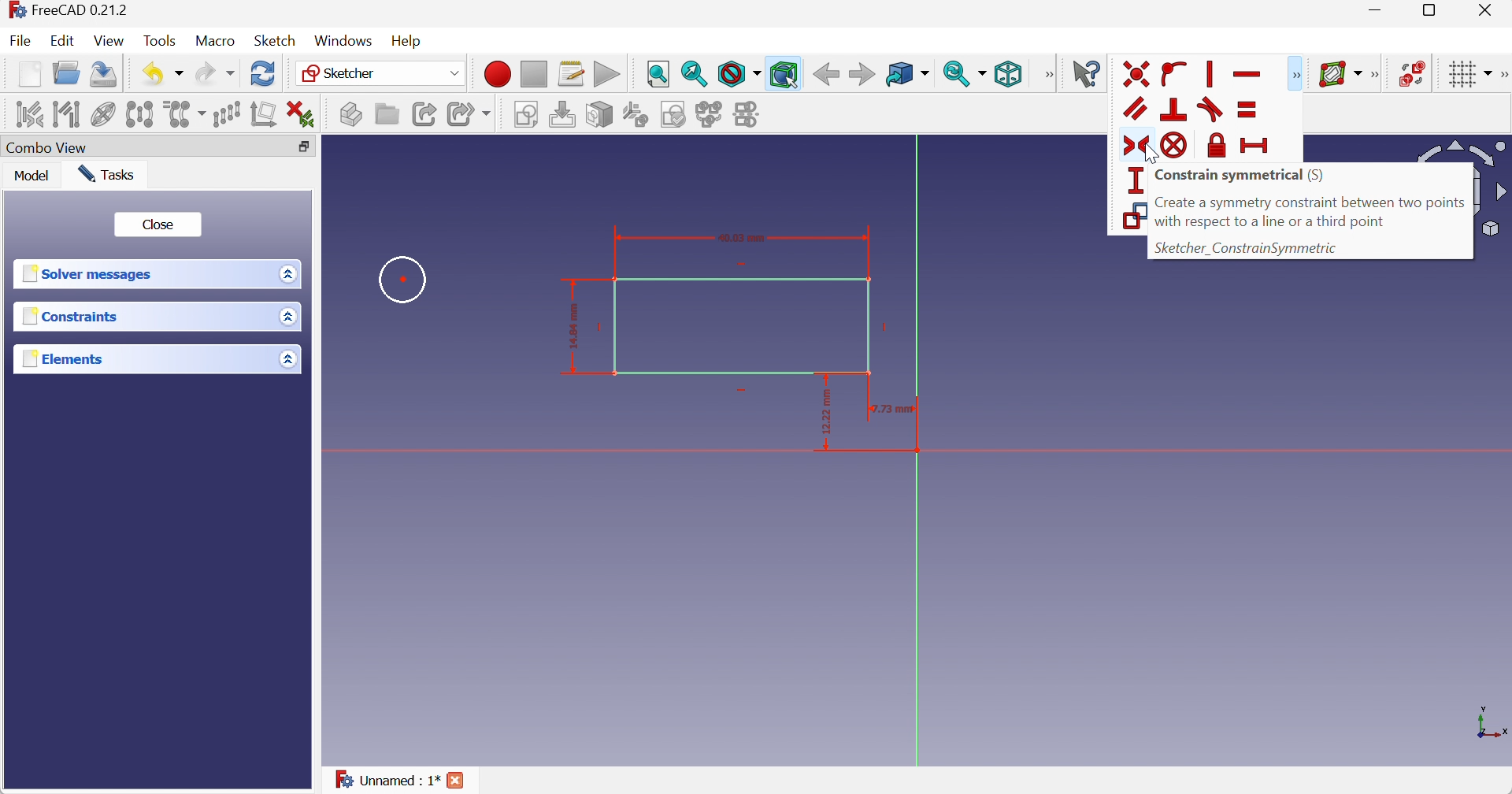 The height and width of the screenshot is (794, 1512). What do you see at coordinates (291, 317) in the screenshot?
I see `Drop down` at bounding box center [291, 317].